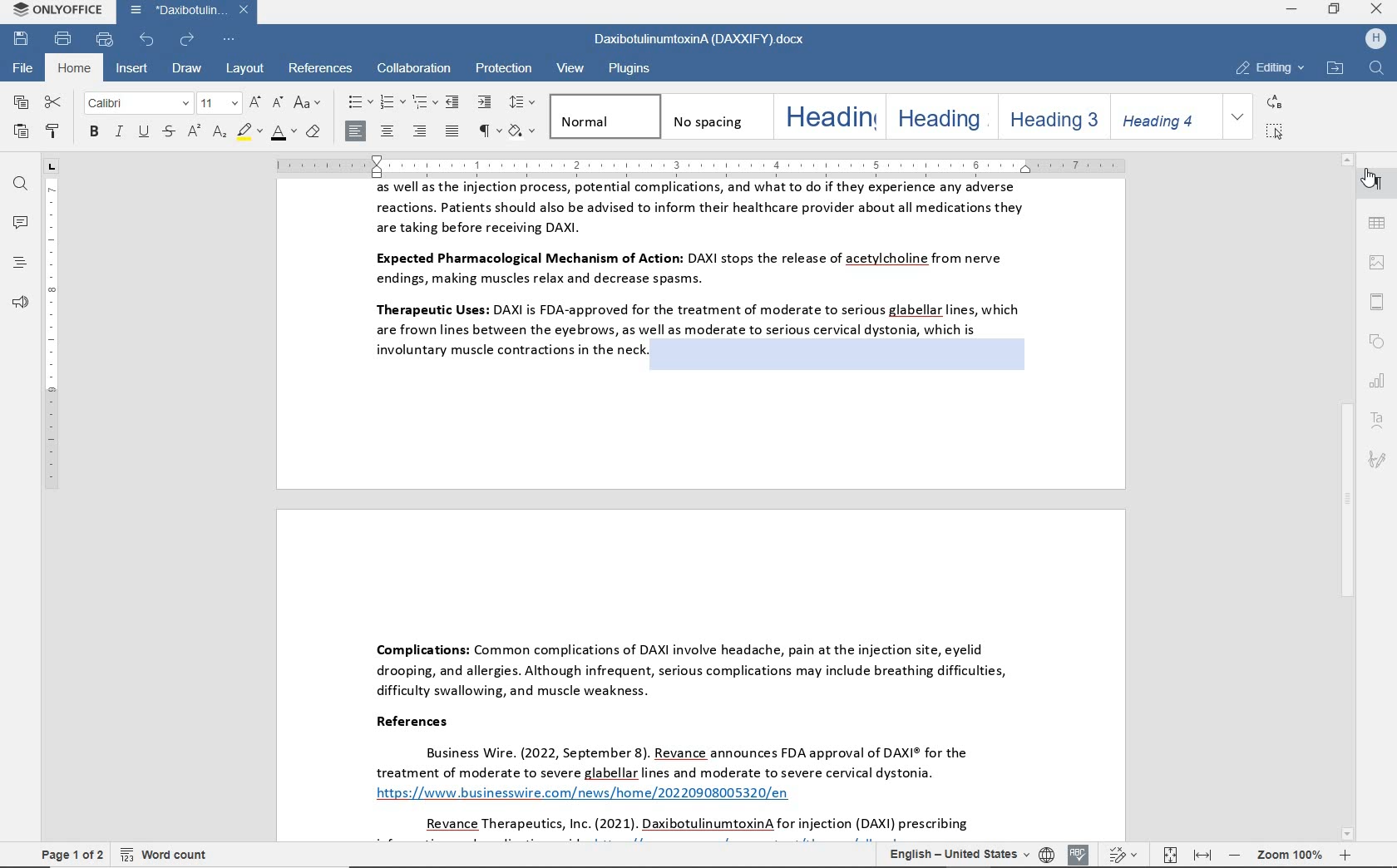  Describe the element at coordinates (227, 41) in the screenshot. I see `customize quick access toolbar` at that location.